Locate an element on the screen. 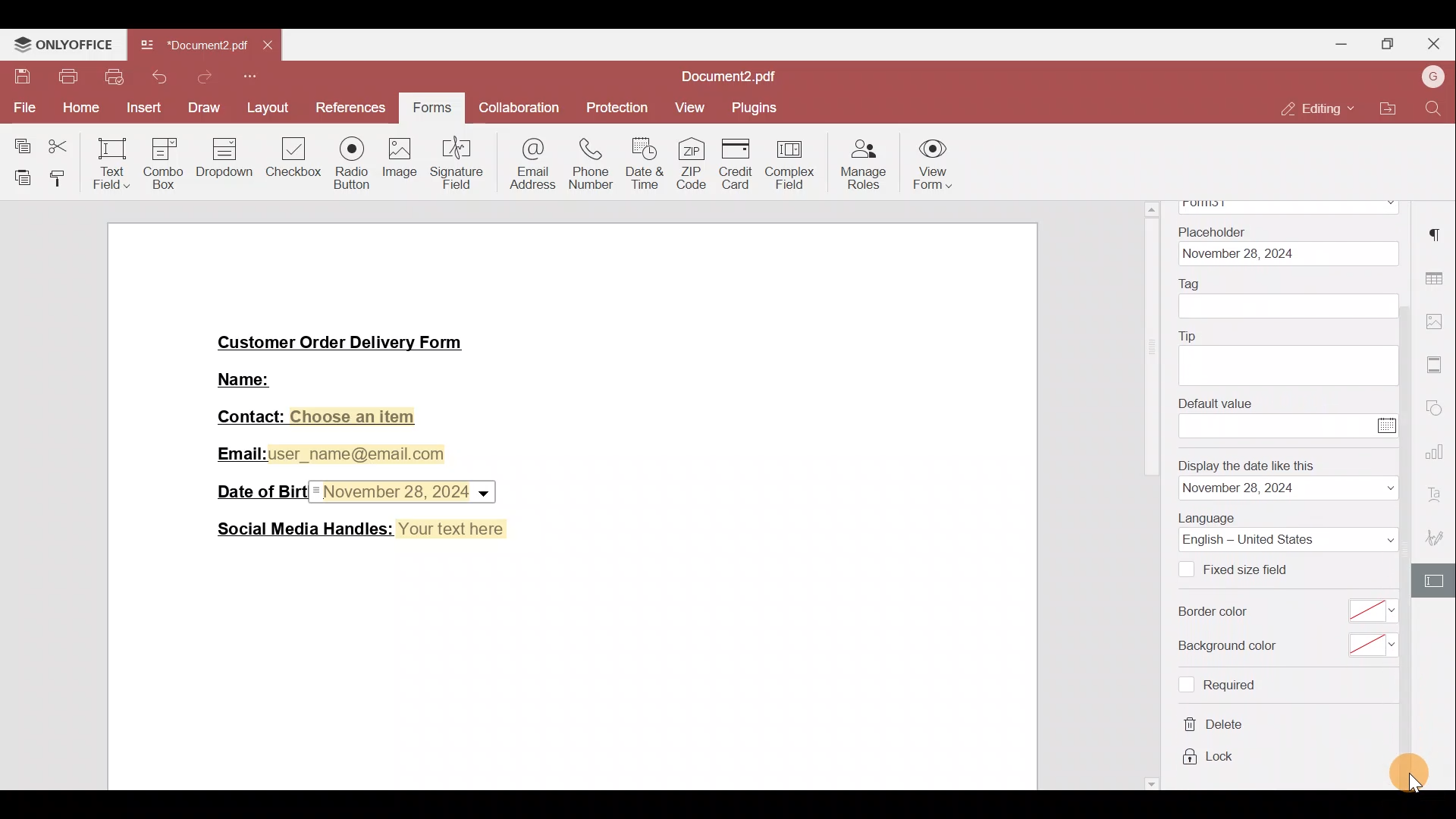 This screenshot has width=1456, height=819. Home is located at coordinates (77, 109).